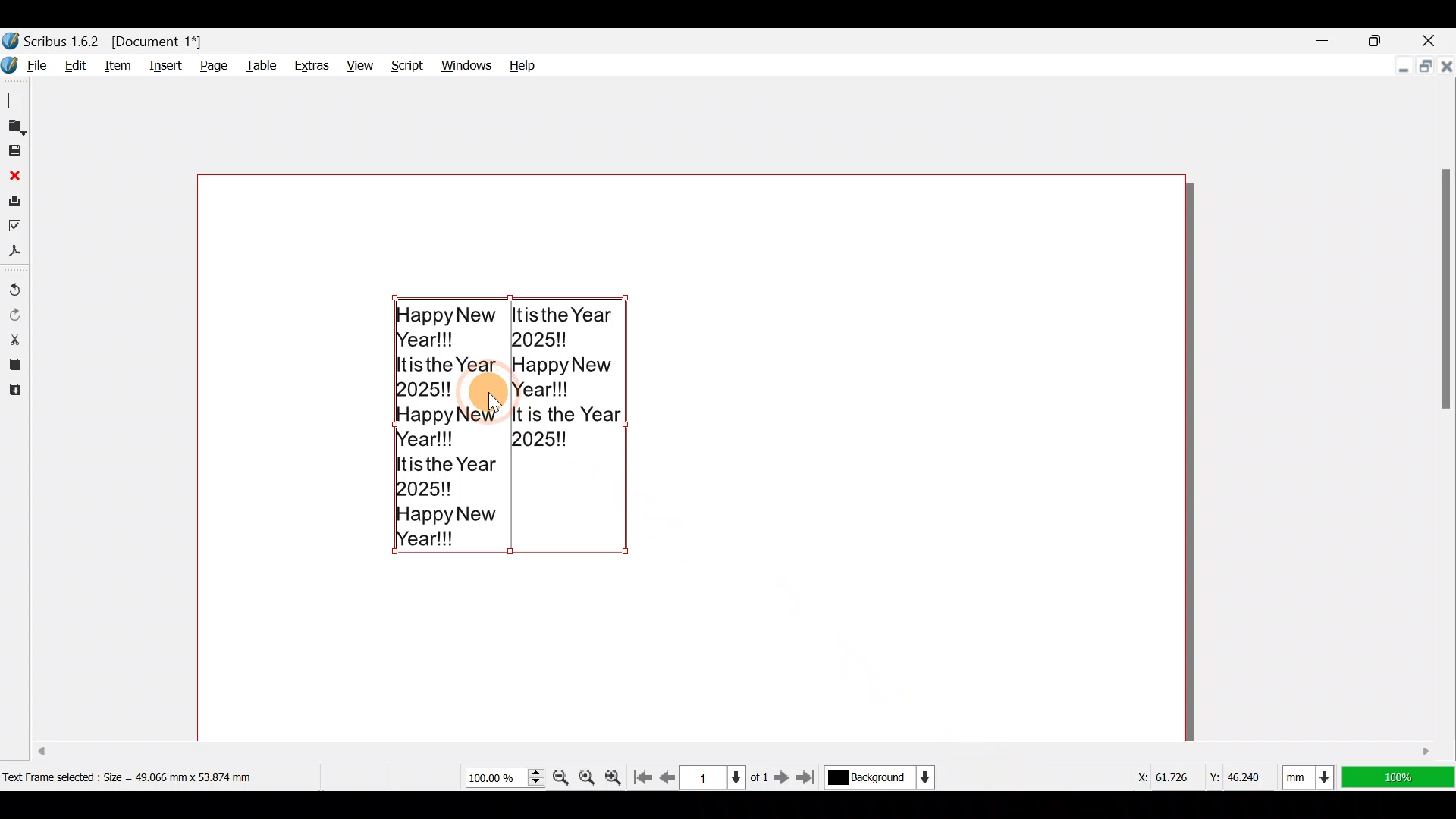 Image resolution: width=1456 pixels, height=819 pixels. Describe the element at coordinates (1423, 67) in the screenshot. I see `Maximize` at that location.